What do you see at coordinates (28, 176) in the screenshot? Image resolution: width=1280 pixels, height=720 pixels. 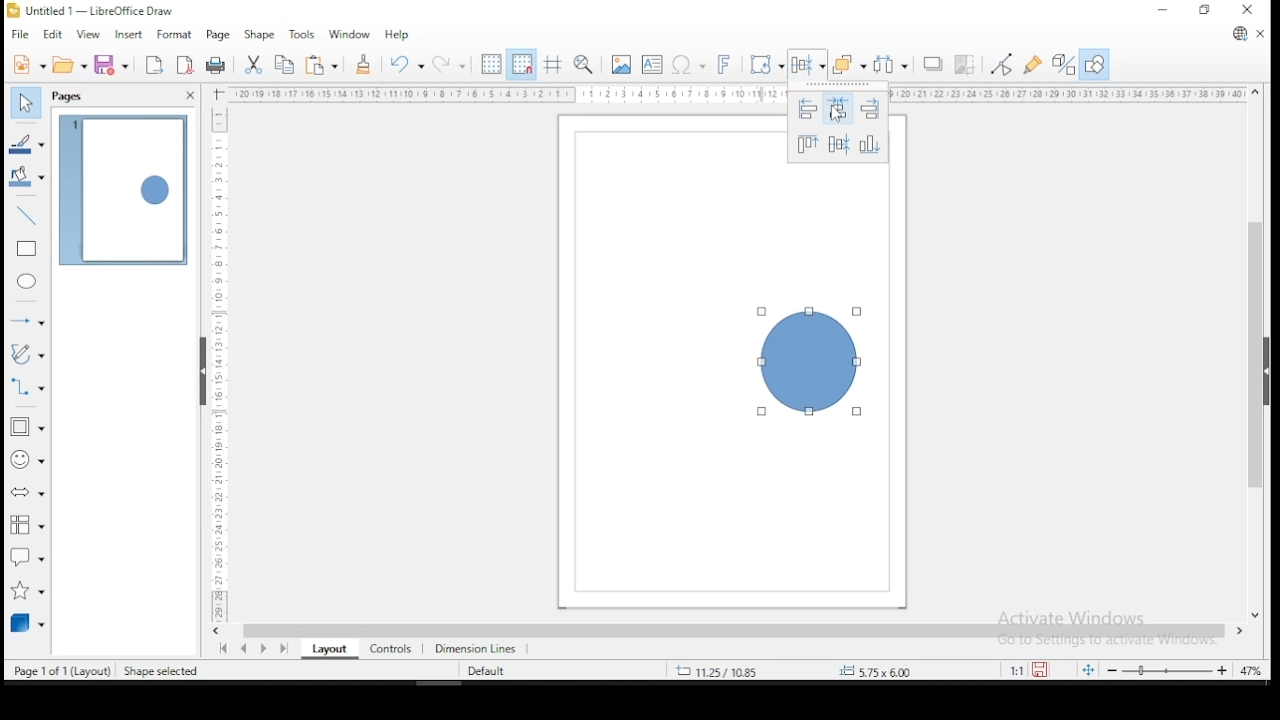 I see `fill color` at bounding box center [28, 176].